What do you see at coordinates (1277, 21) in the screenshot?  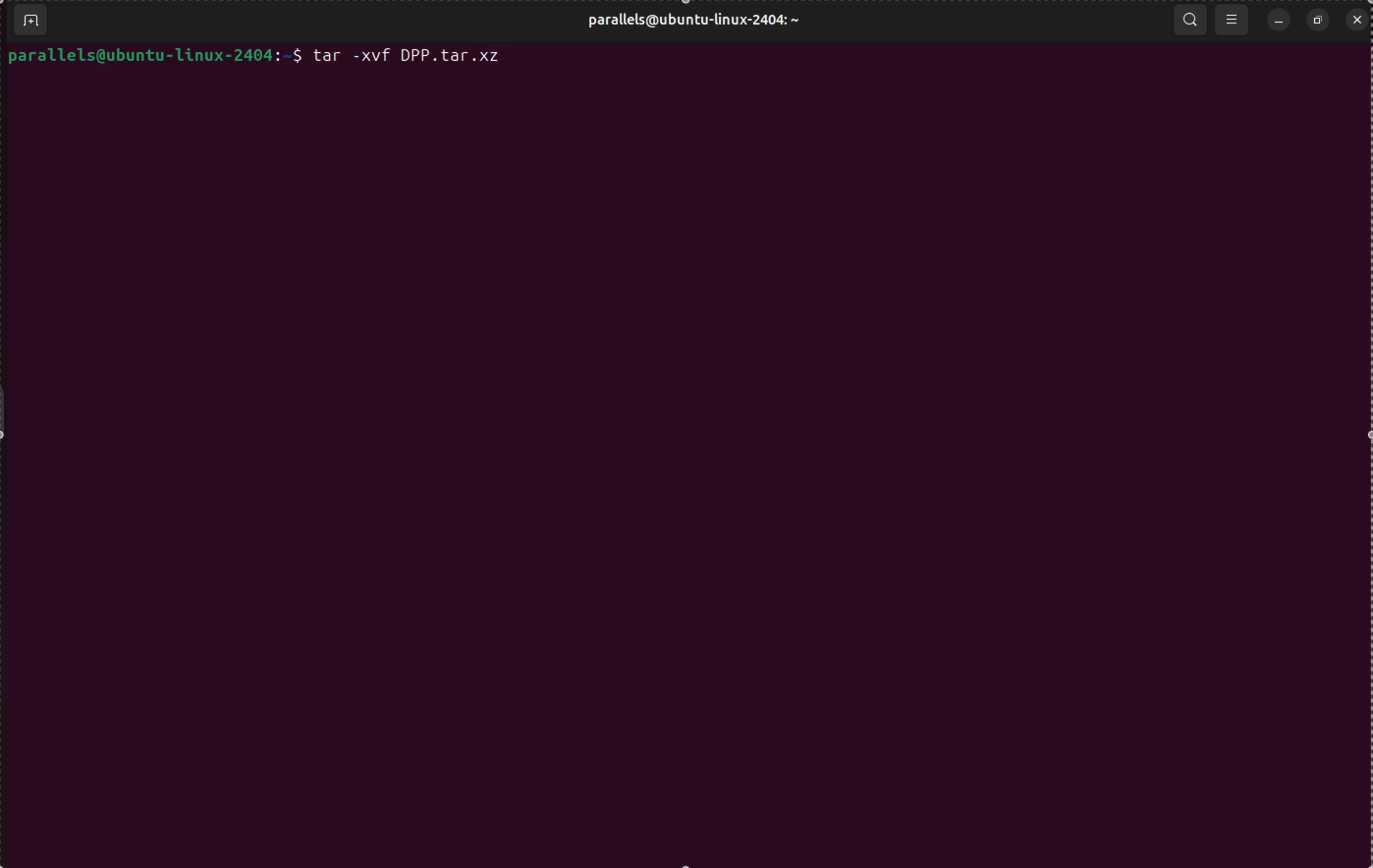 I see `minimize` at bounding box center [1277, 21].